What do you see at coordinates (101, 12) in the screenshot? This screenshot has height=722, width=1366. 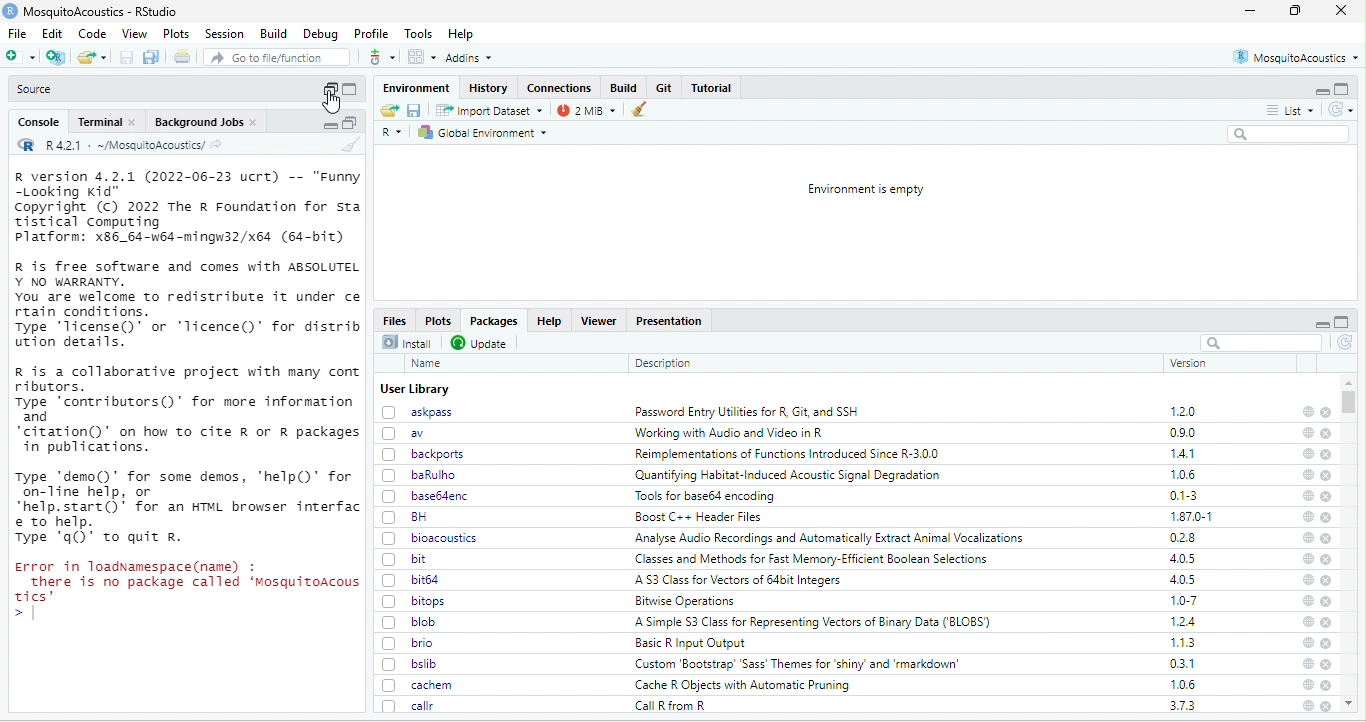 I see `MosquitoAcoustics - RStudio` at bounding box center [101, 12].